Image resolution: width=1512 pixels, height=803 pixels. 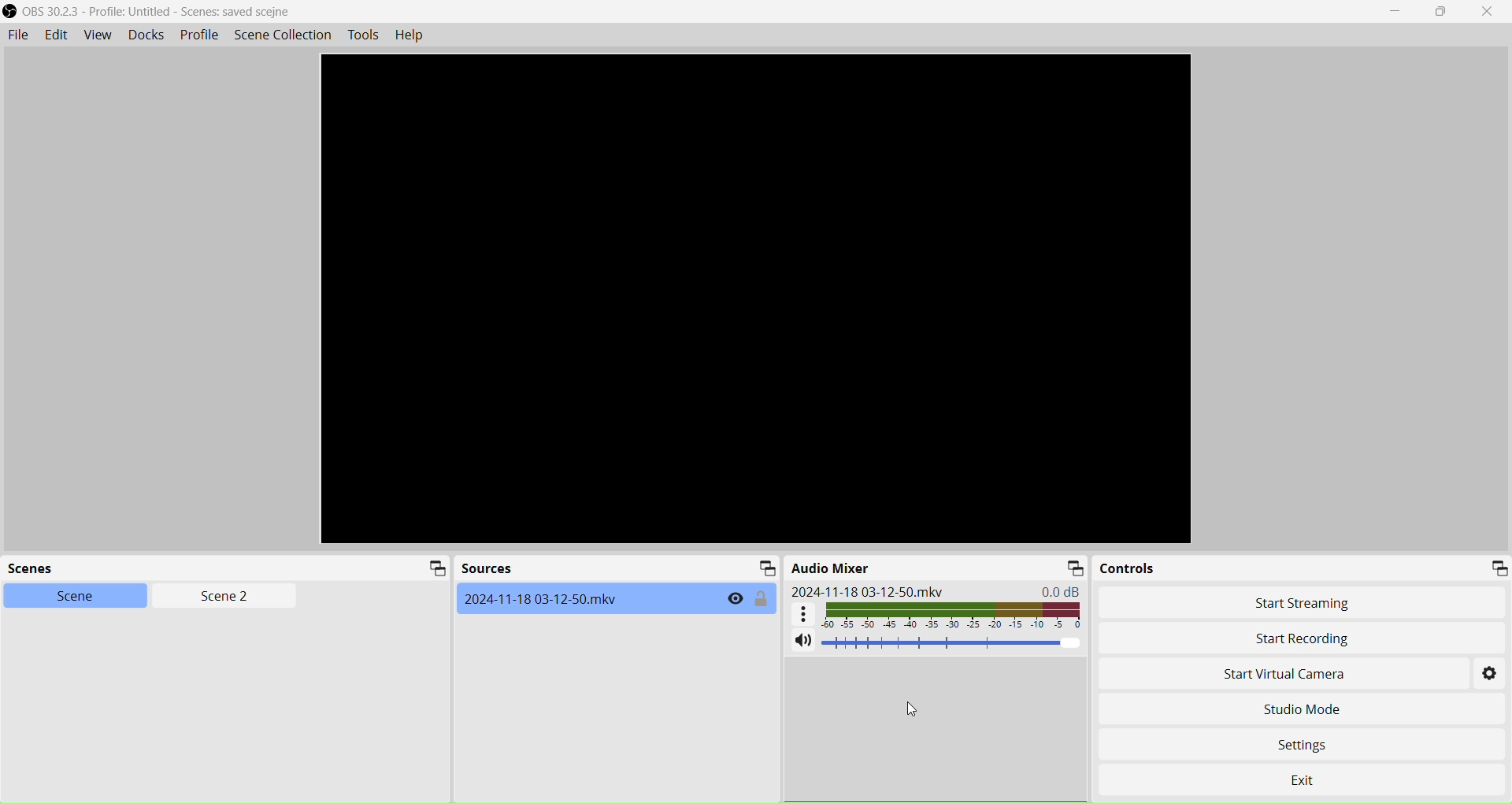 What do you see at coordinates (65, 595) in the screenshot?
I see `Scene` at bounding box center [65, 595].